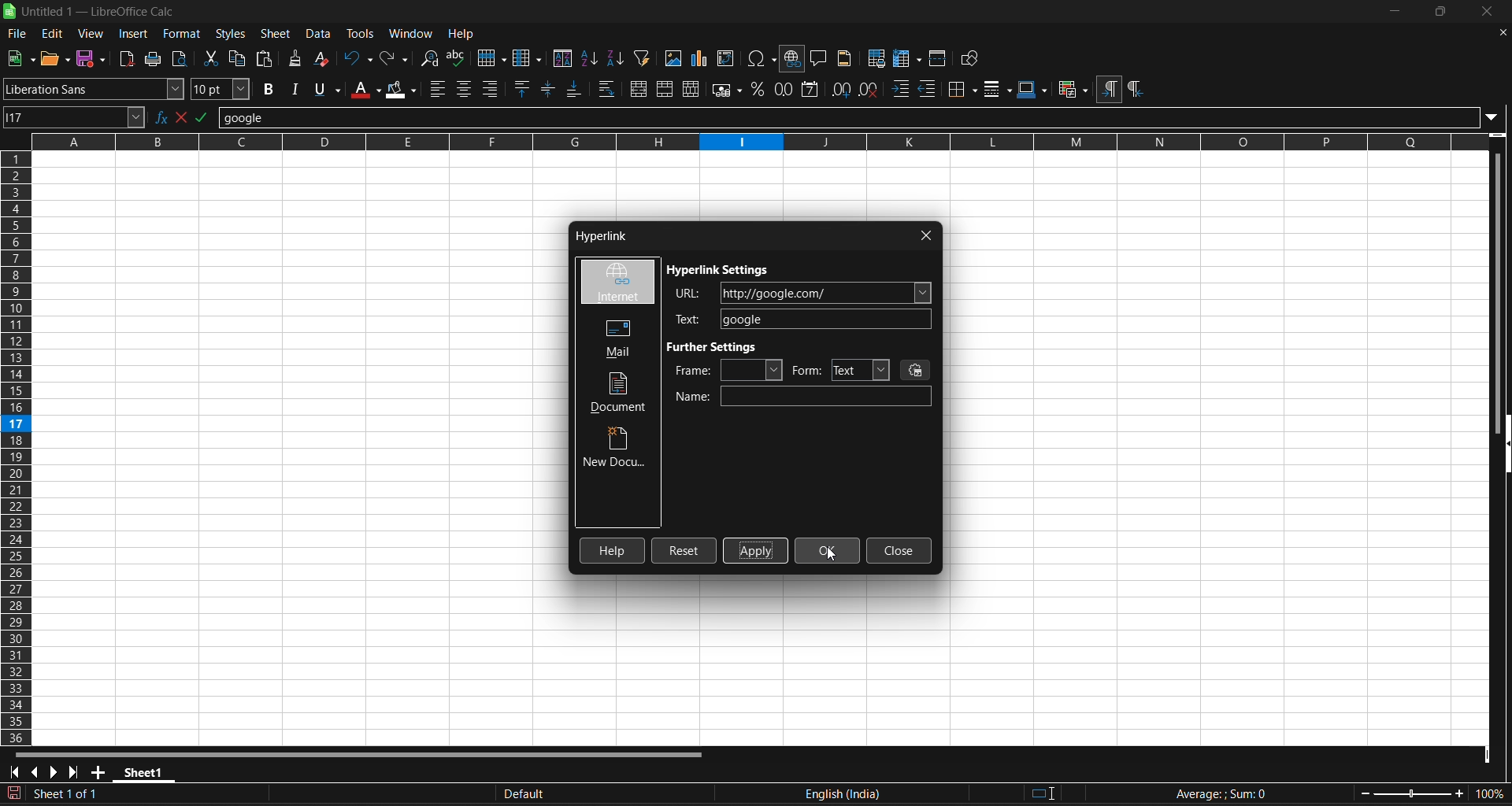 This screenshot has width=1512, height=806. What do you see at coordinates (703, 58) in the screenshot?
I see `insert chrt` at bounding box center [703, 58].